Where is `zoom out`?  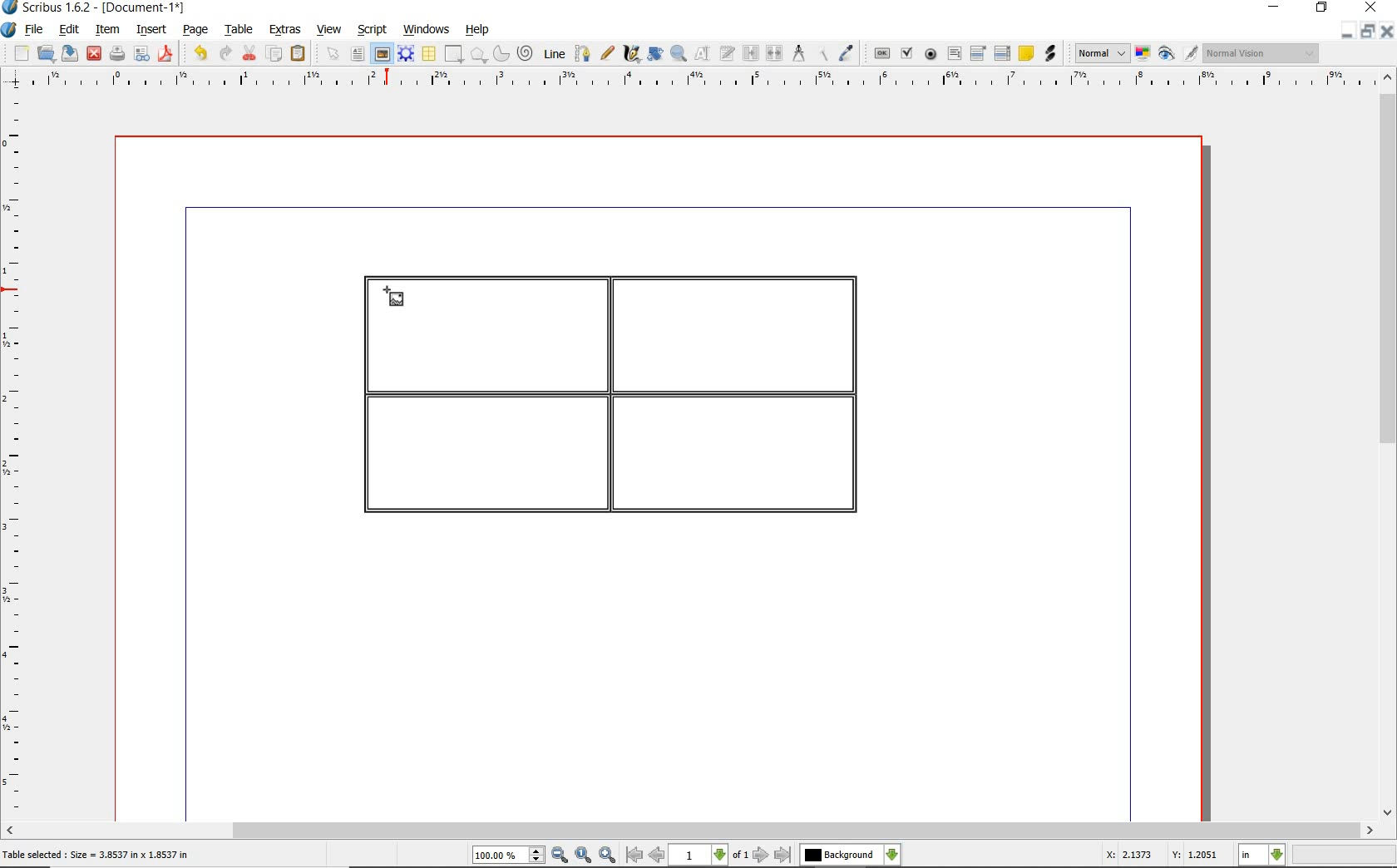
zoom out is located at coordinates (560, 856).